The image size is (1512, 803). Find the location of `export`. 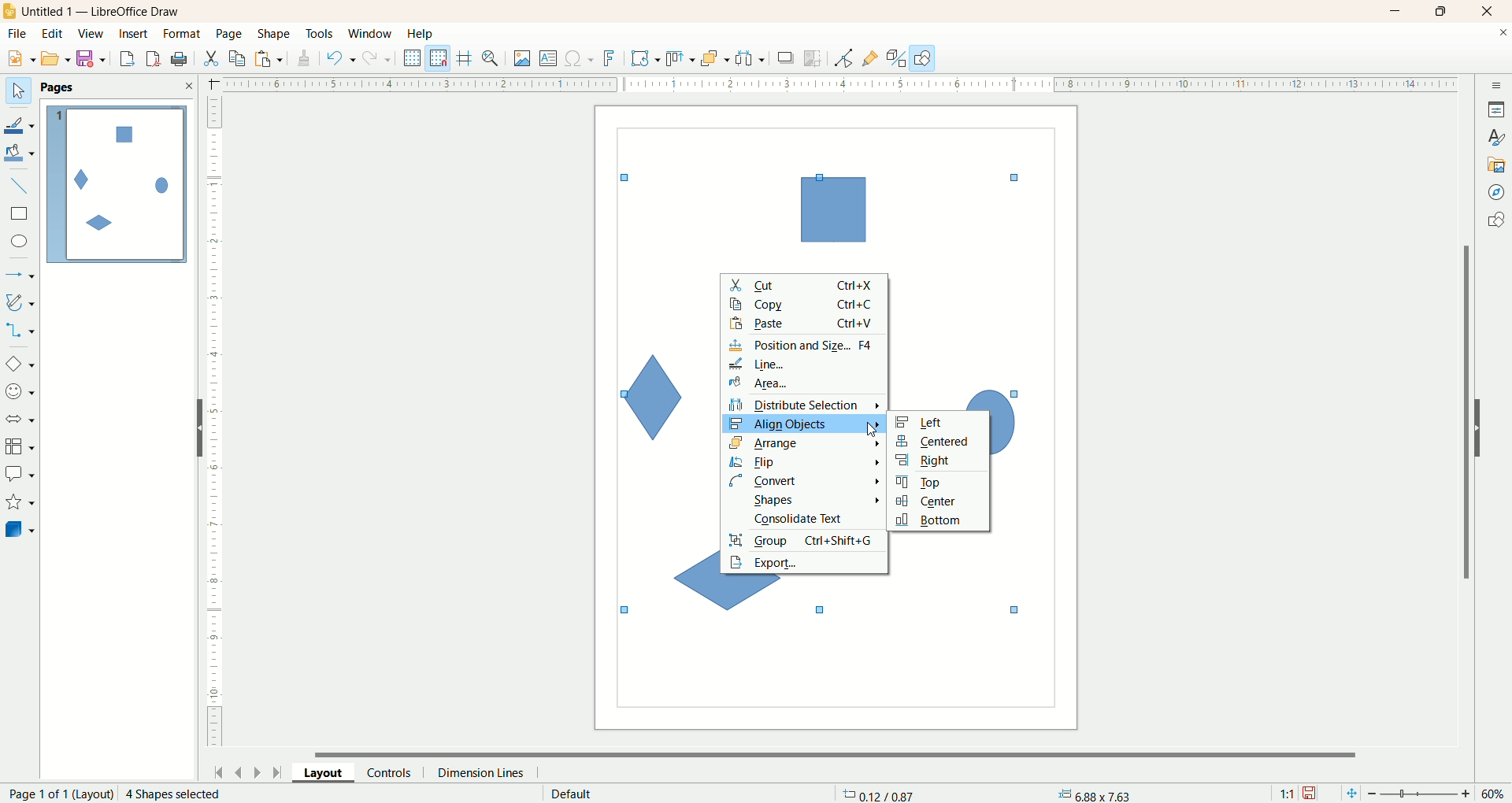

export is located at coordinates (804, 563).